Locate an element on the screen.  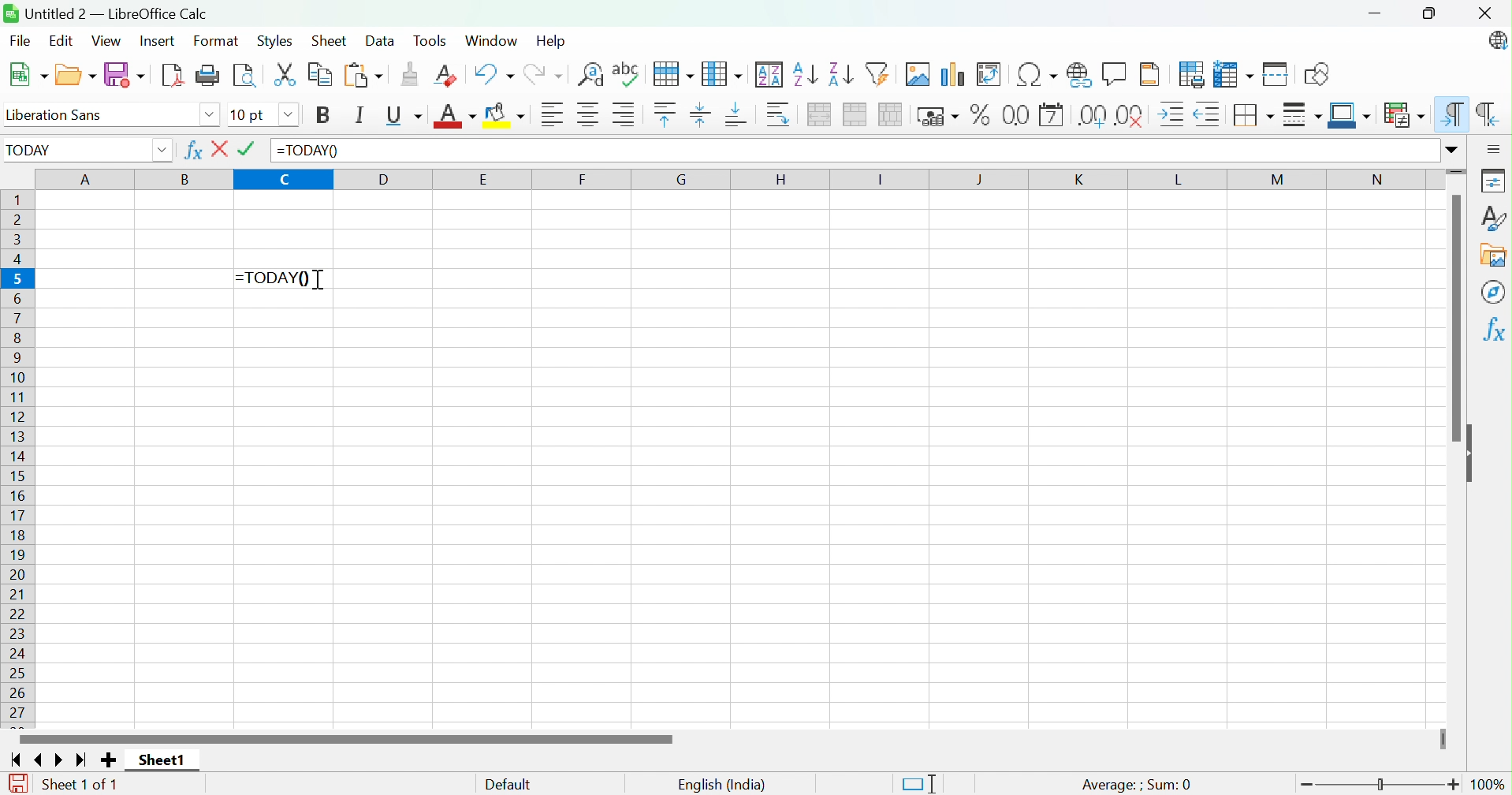
Border color is located at coordinates (1351, 116).